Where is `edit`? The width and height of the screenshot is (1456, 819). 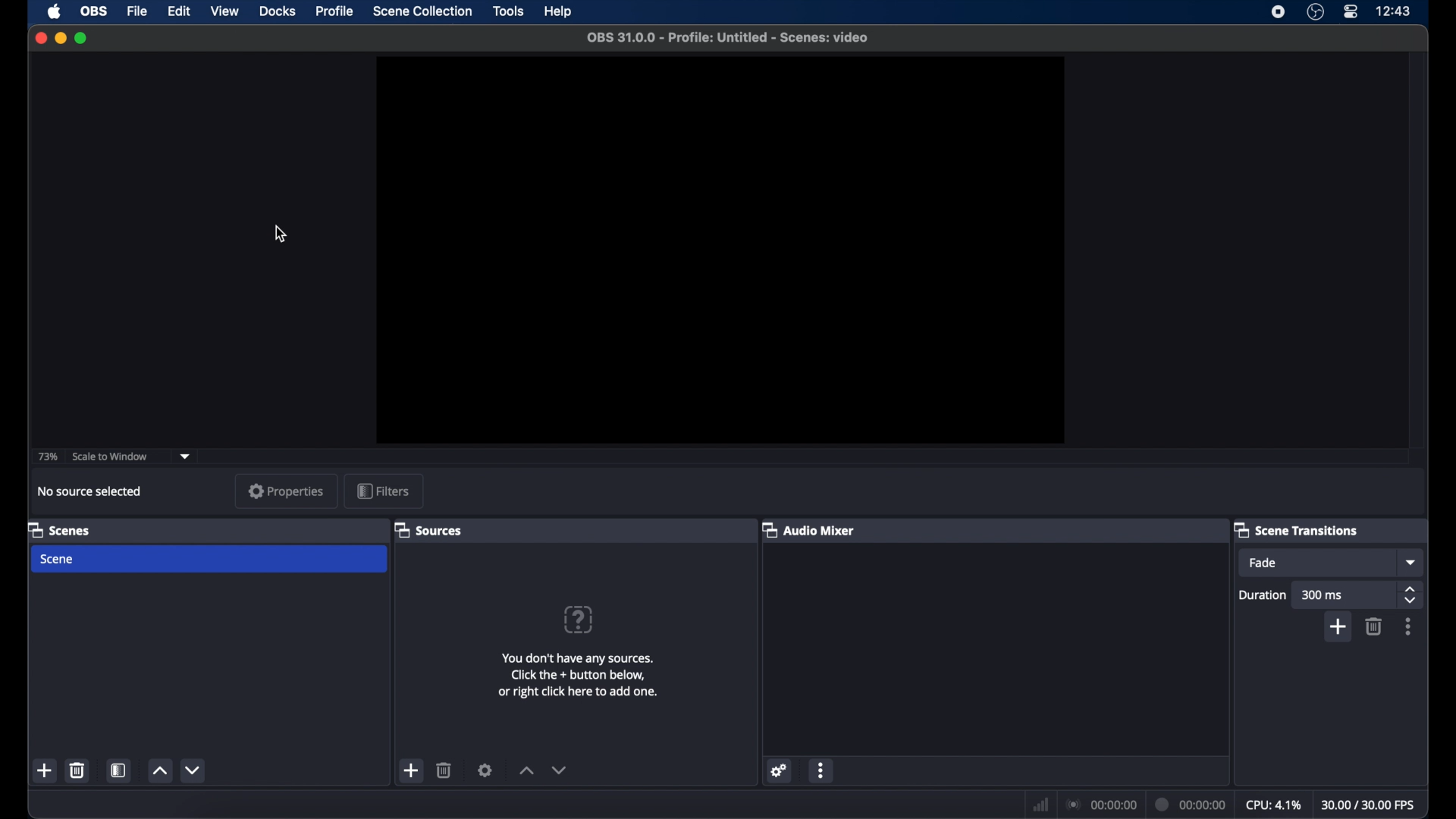
edit is located at coordinates (178, 11).